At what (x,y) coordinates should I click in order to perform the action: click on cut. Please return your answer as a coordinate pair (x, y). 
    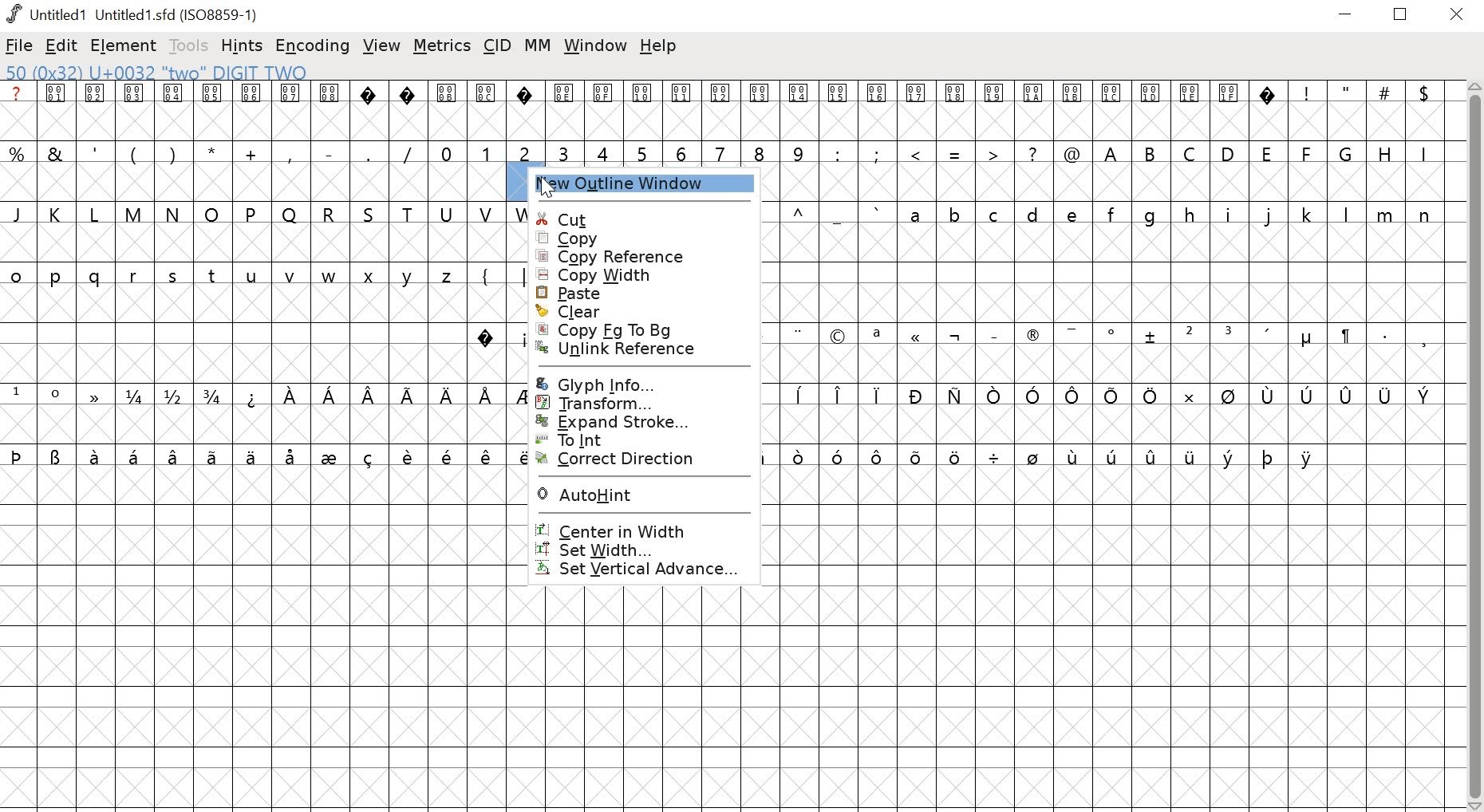
    Looking at the image, I should click on (645, 218).